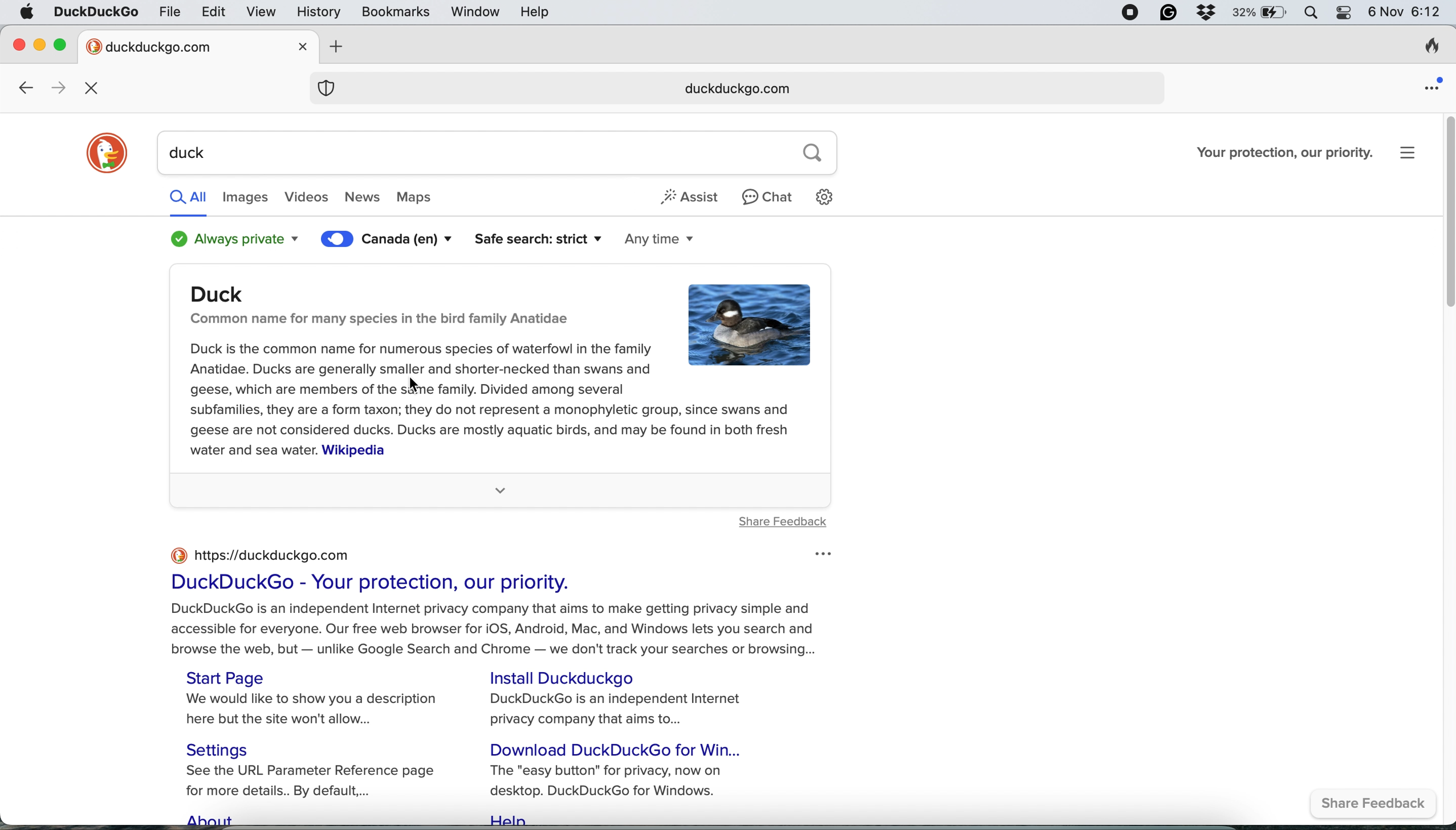 This screenshot has height=830, width=1456. What do you see at coordinates (1130, 13) in the screenshot?
I see `screen recorder` at bounding box center [1130, 13].